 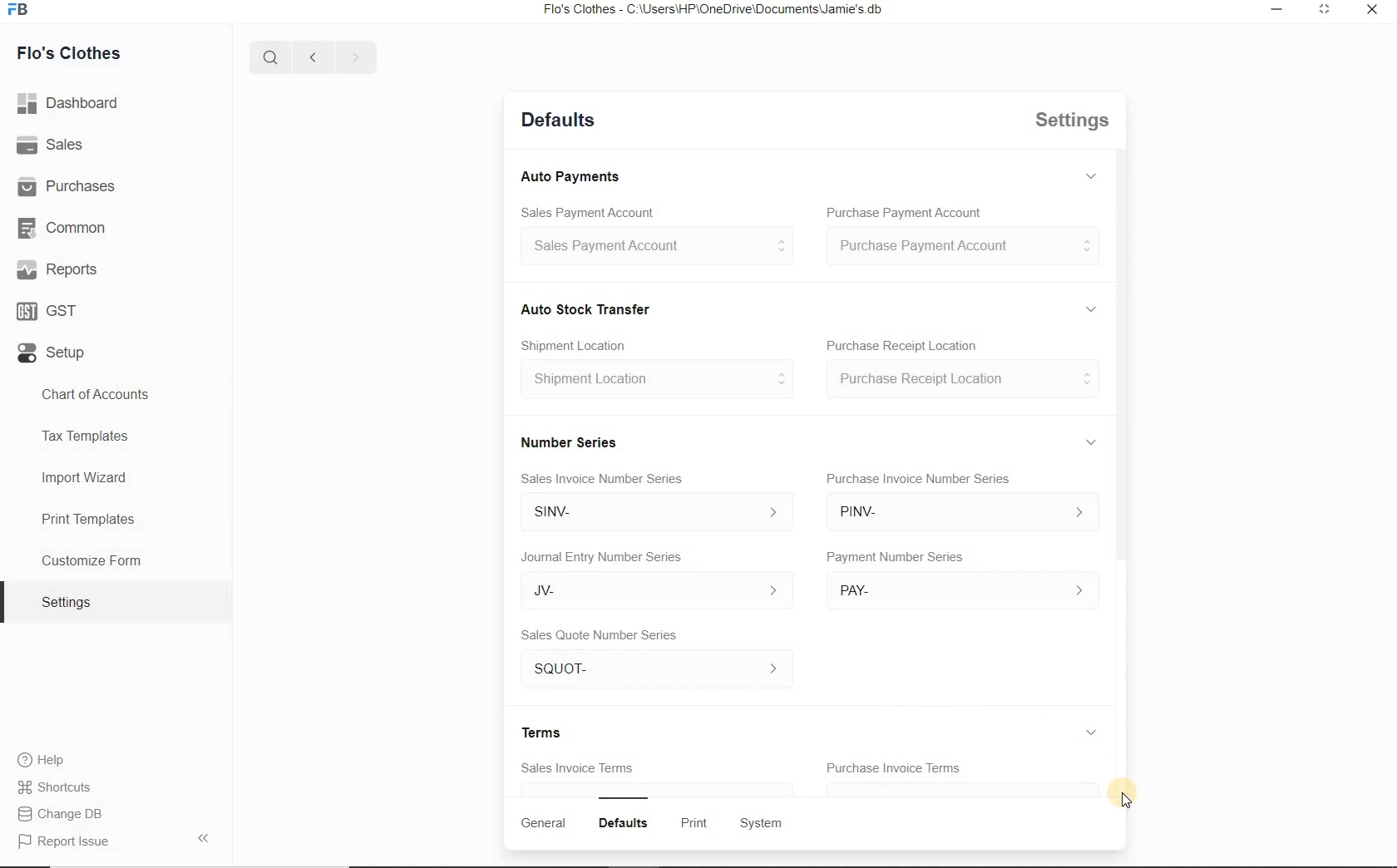 What do you see at coordinates (116, 395) in the screenshot?
I see `Chart of accounts` at bounding box center [116, 395].